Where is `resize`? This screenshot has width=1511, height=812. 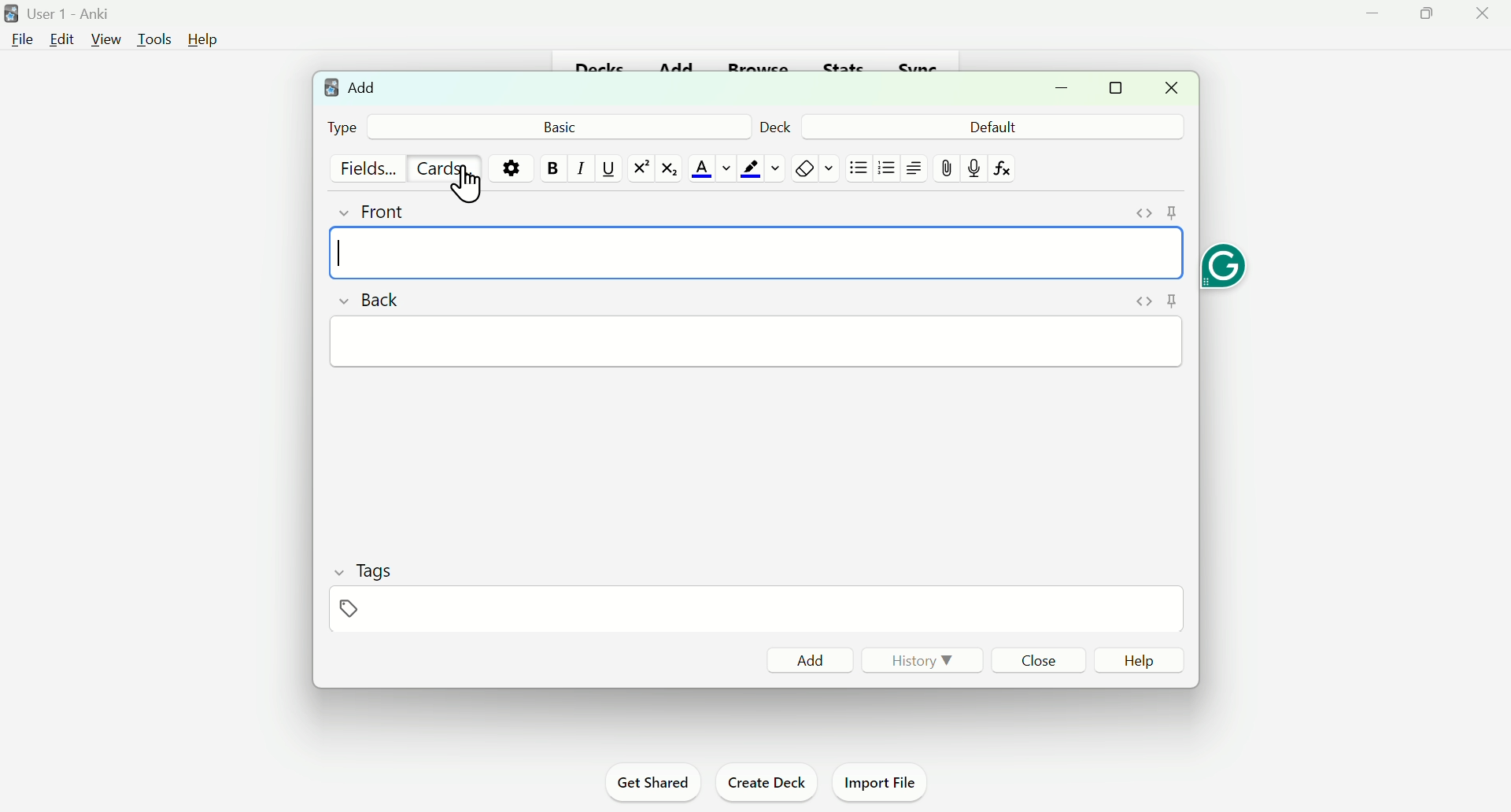 resize is located at coordinates (1114, 87).